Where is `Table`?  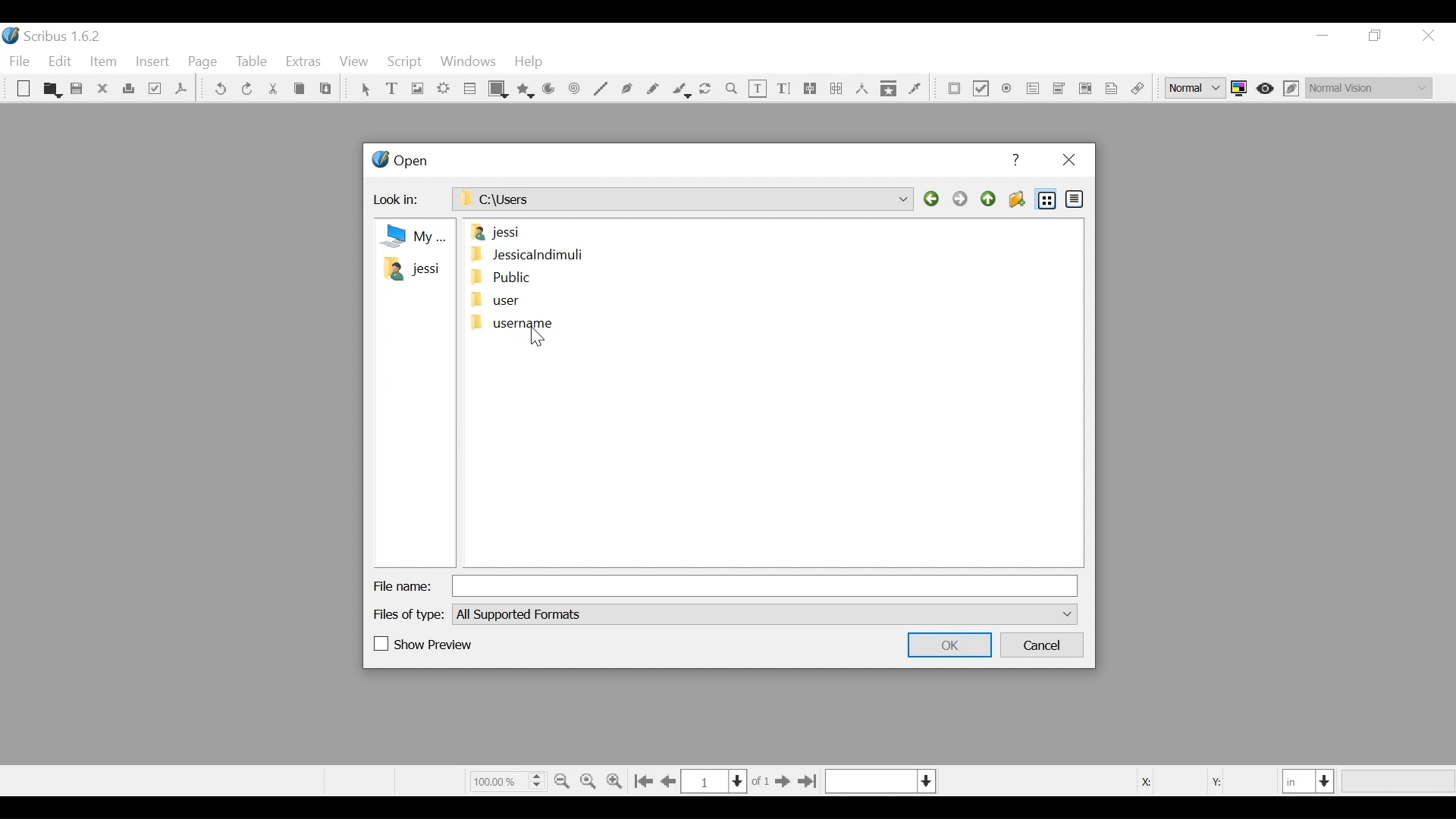
Table is located at coordinates (470, 90).